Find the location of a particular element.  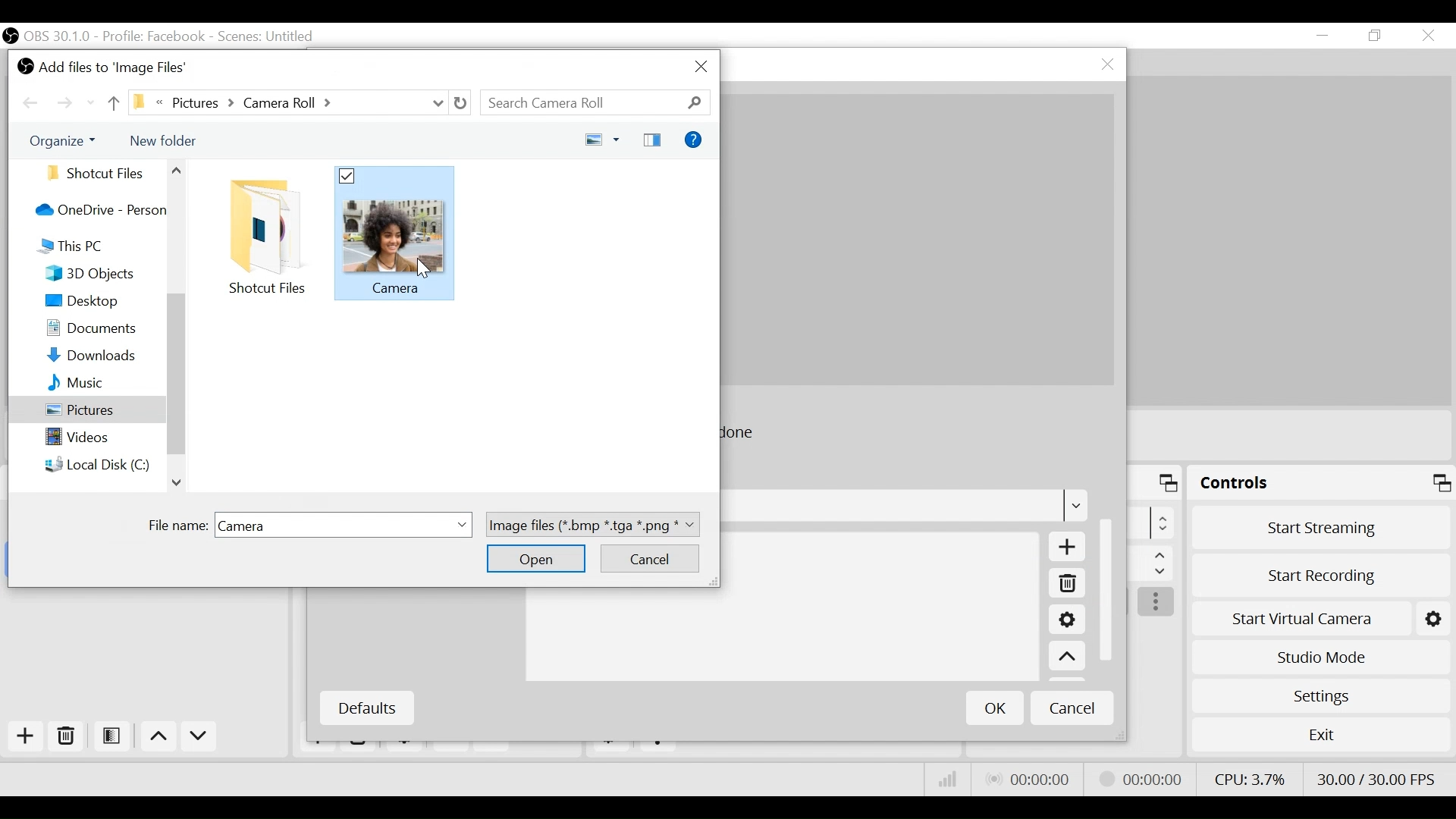

Cancel is located at coordinates (652, 558).